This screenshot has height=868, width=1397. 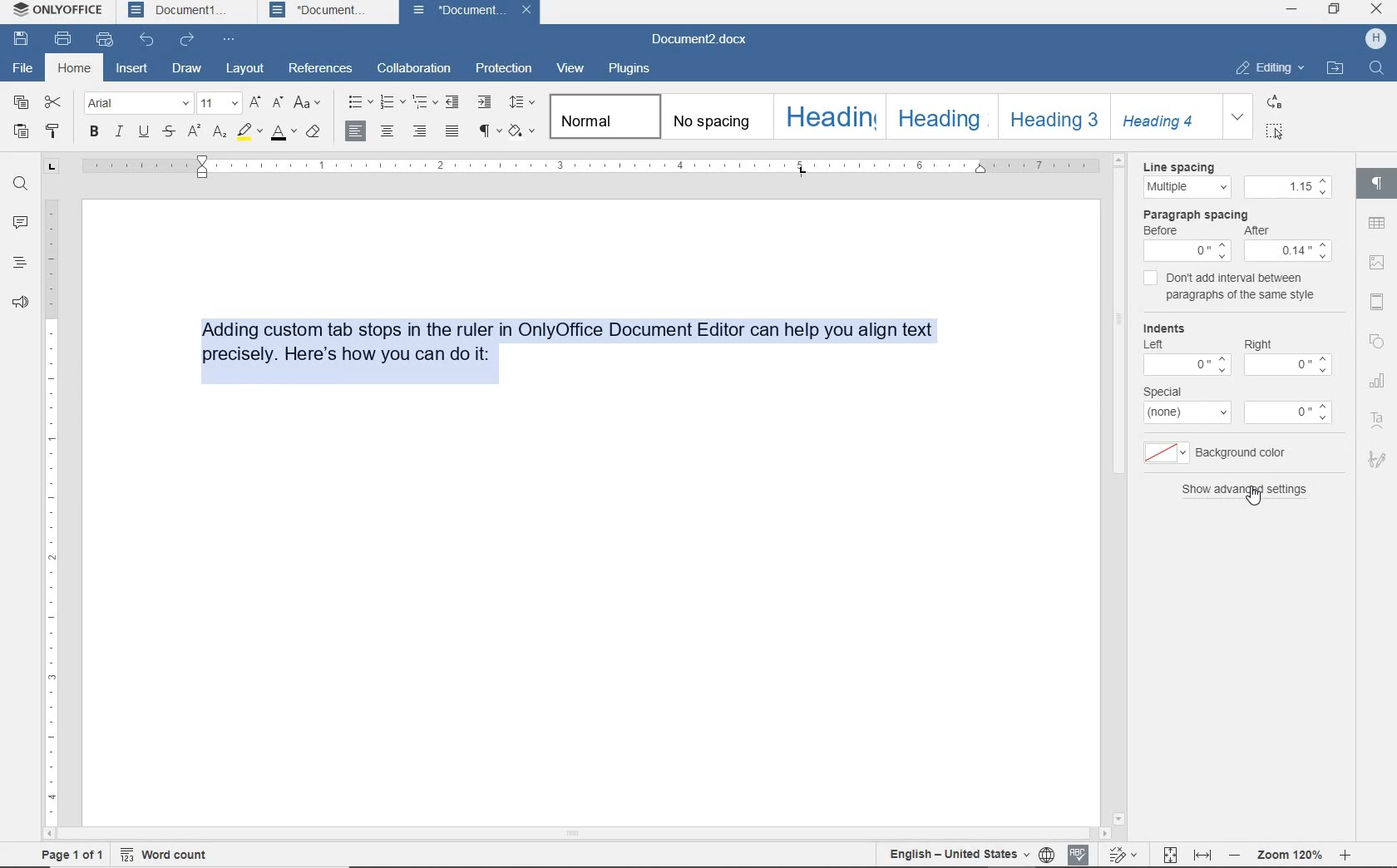 What do you see at coordinates (827, 117) in the screenshot?
I see `heading 1` at bounding box center [827, 117].